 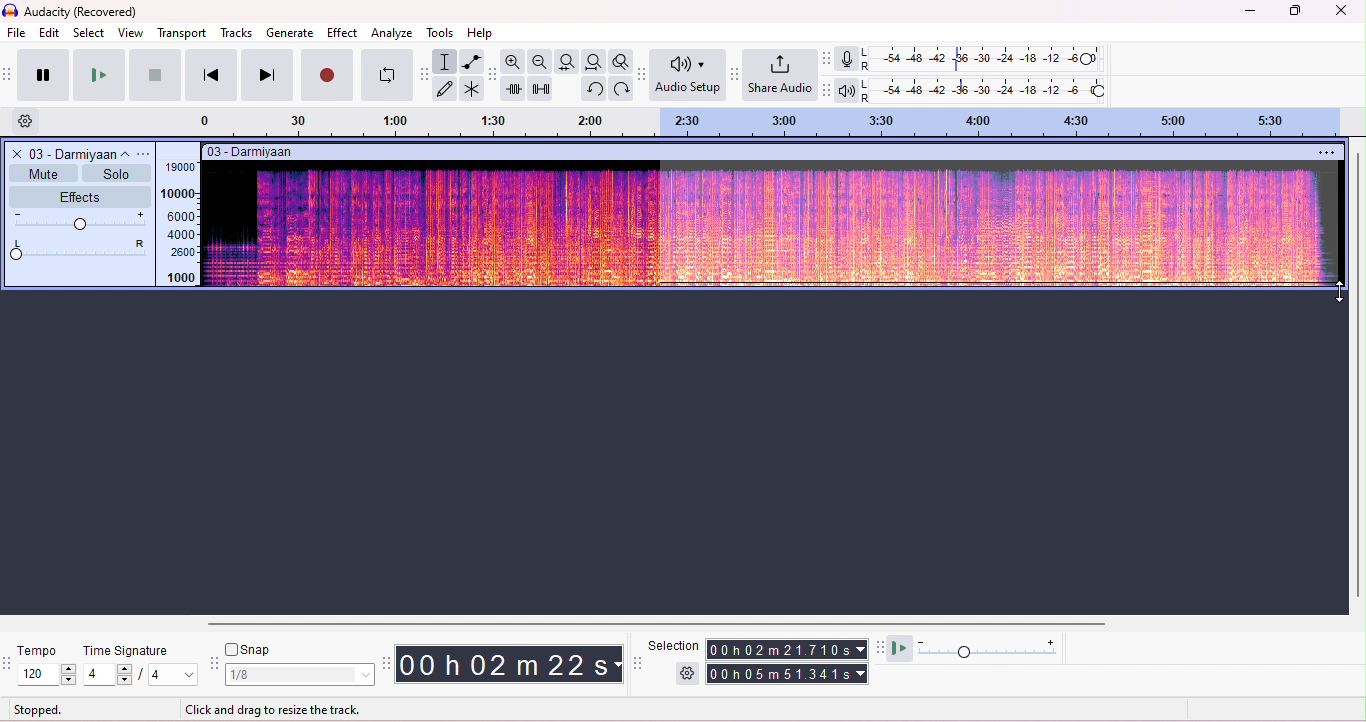 I want to click on draw, so click(x=447, y=89).